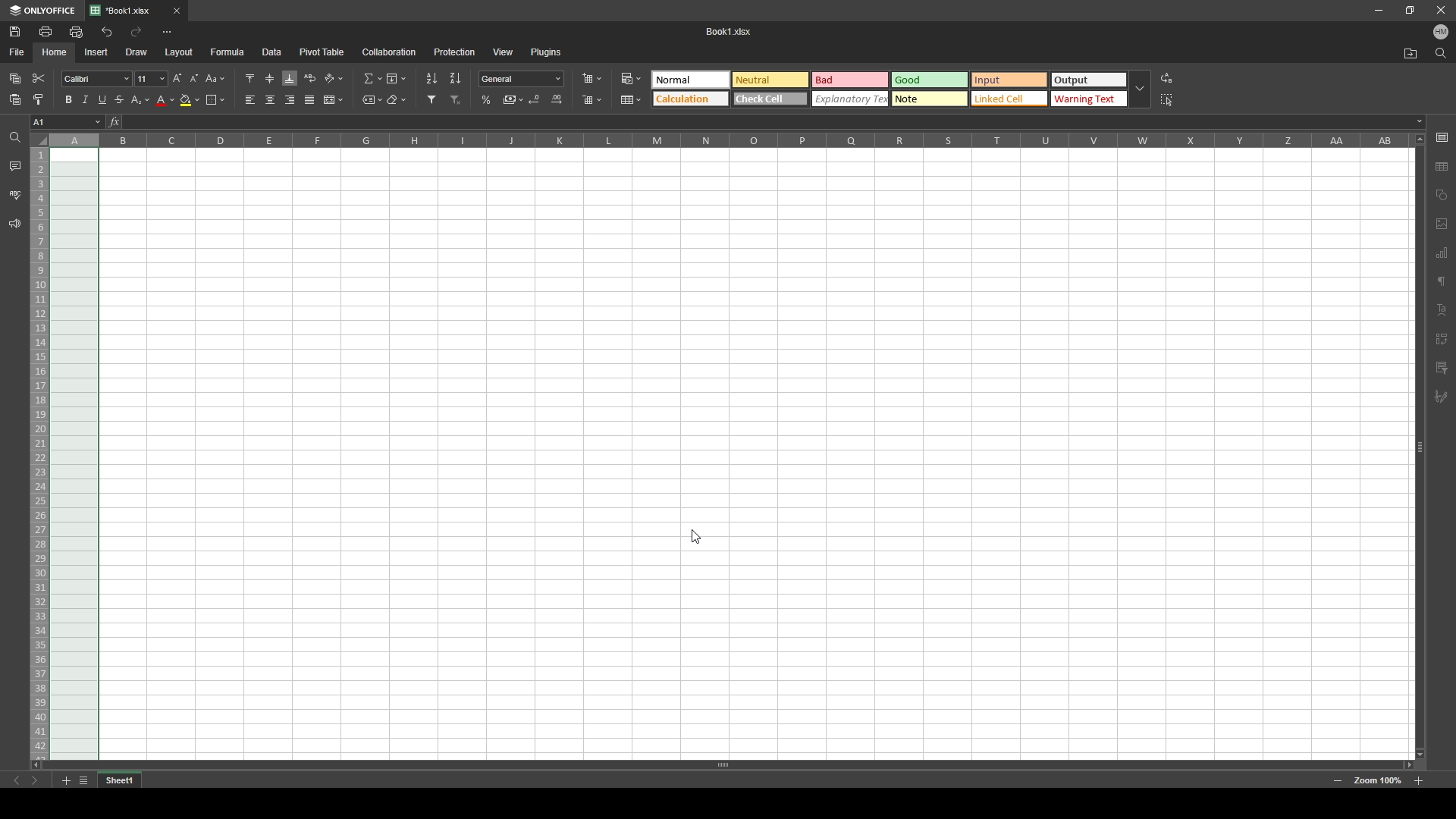  I want to click on next, so click(35, 781).